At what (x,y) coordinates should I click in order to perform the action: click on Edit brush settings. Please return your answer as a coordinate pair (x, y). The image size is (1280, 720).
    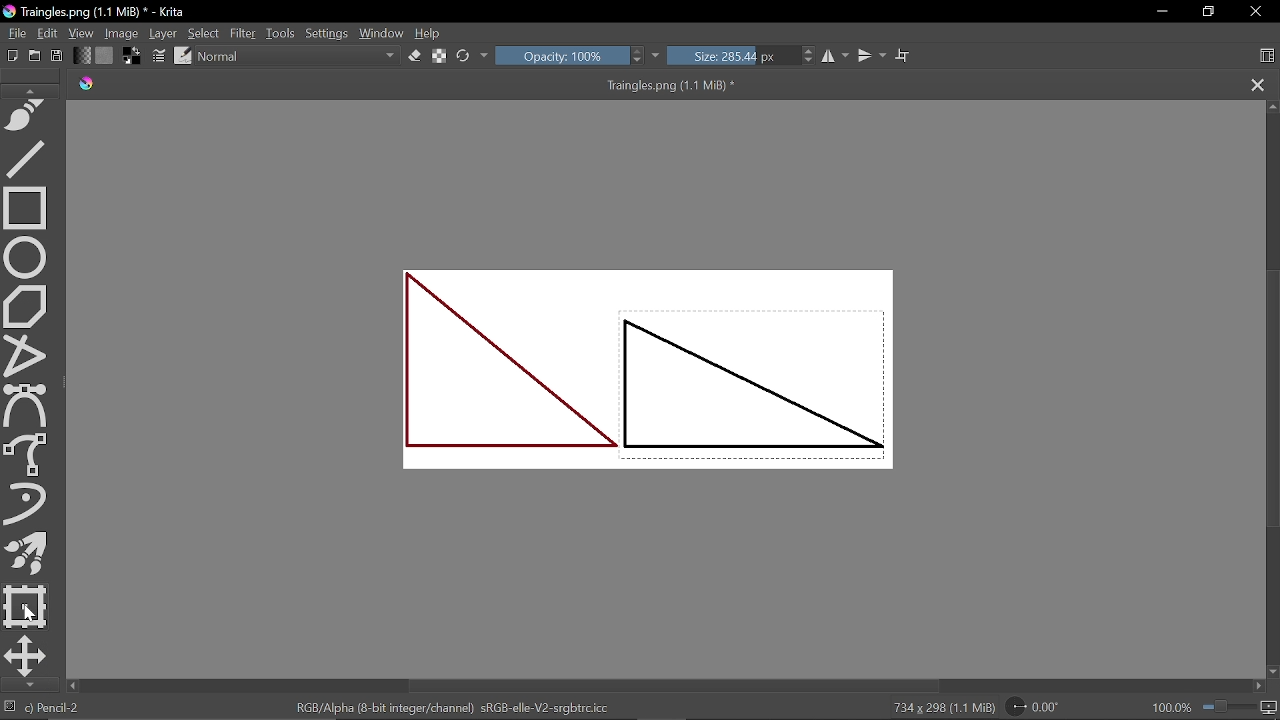
    Looking at the image, I should click on (160, 56).